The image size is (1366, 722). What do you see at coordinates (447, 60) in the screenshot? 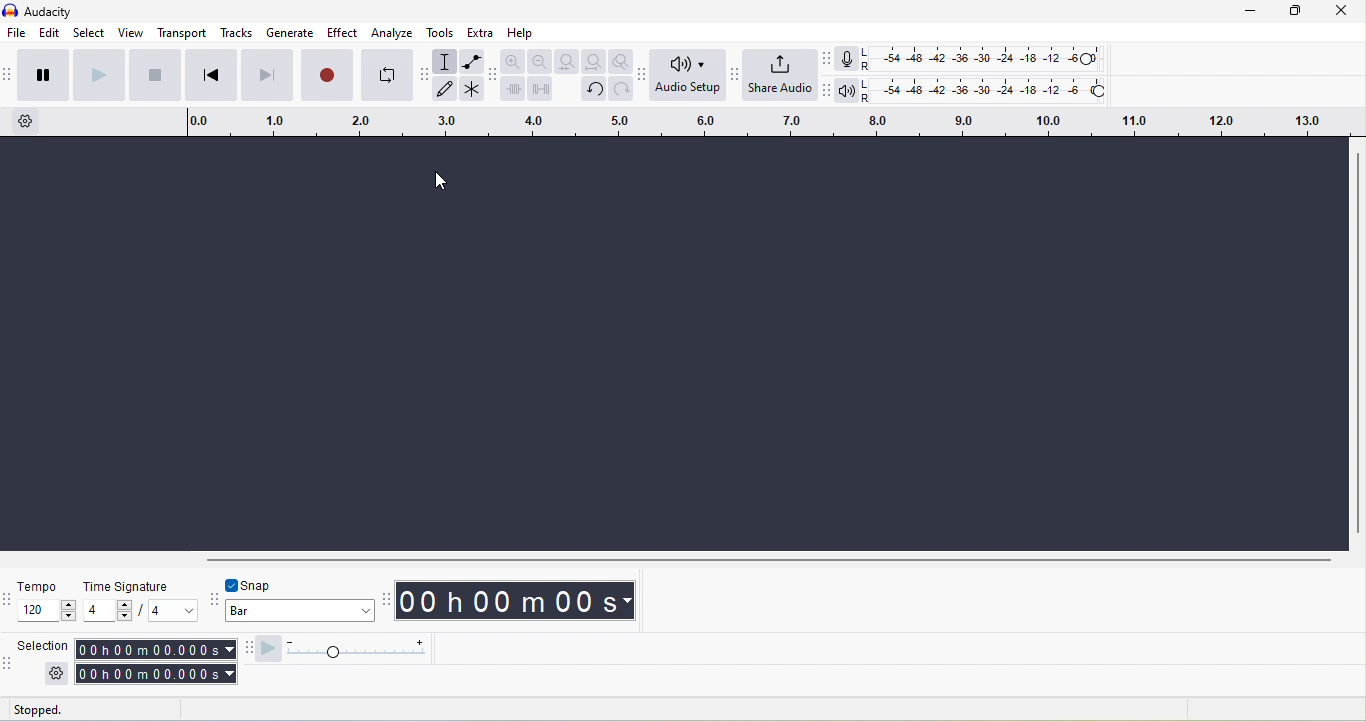
I see `selection tool` at bounding box center [447, 60].